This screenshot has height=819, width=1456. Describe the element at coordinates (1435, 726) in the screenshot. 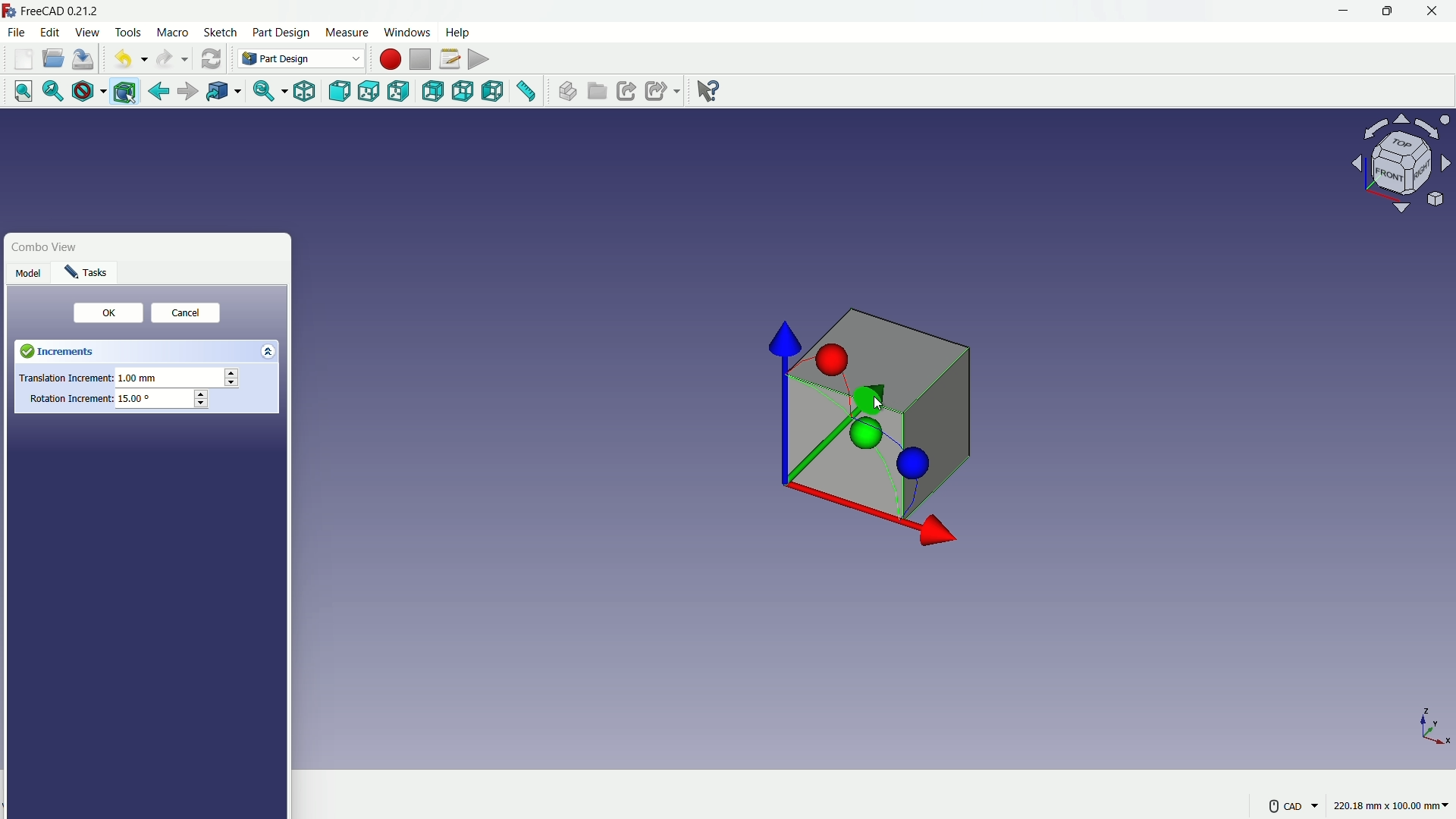

I see `axis` at that location.